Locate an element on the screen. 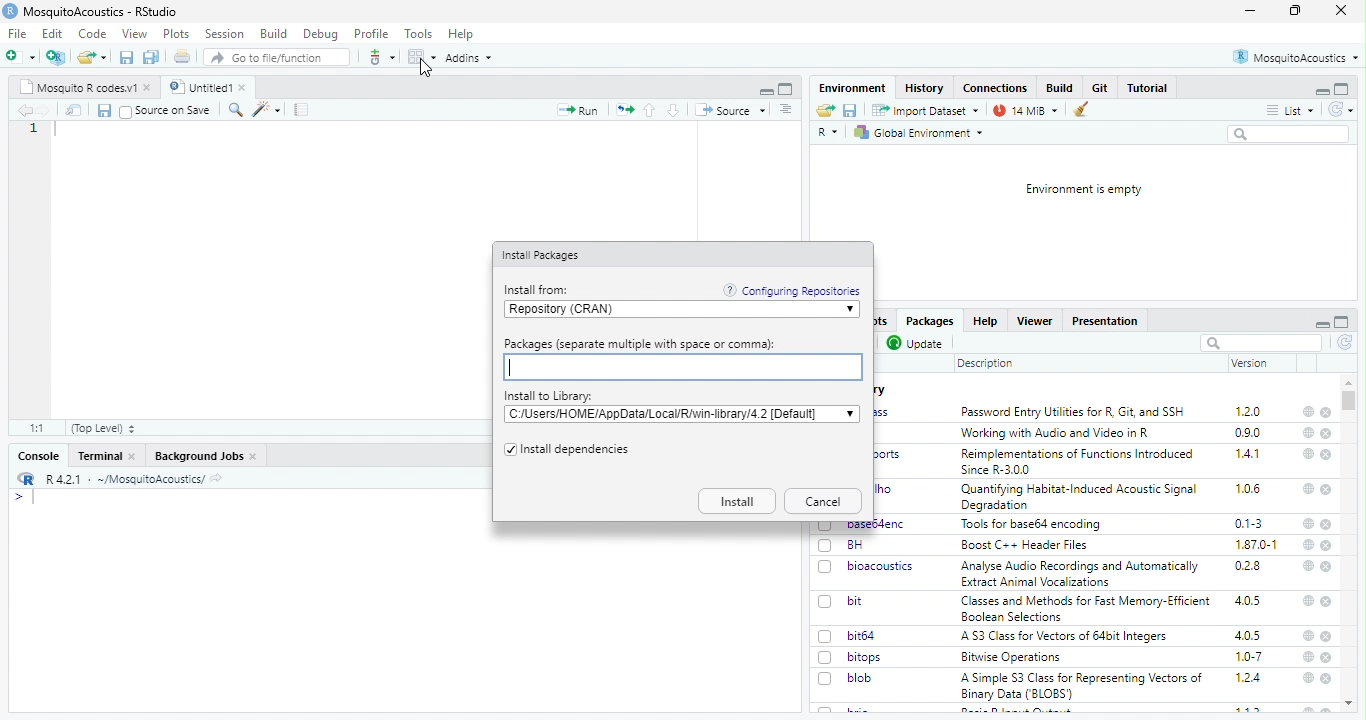 This screenshot has height=720, width=1366. Terminal is located at coordinates (100, 456).